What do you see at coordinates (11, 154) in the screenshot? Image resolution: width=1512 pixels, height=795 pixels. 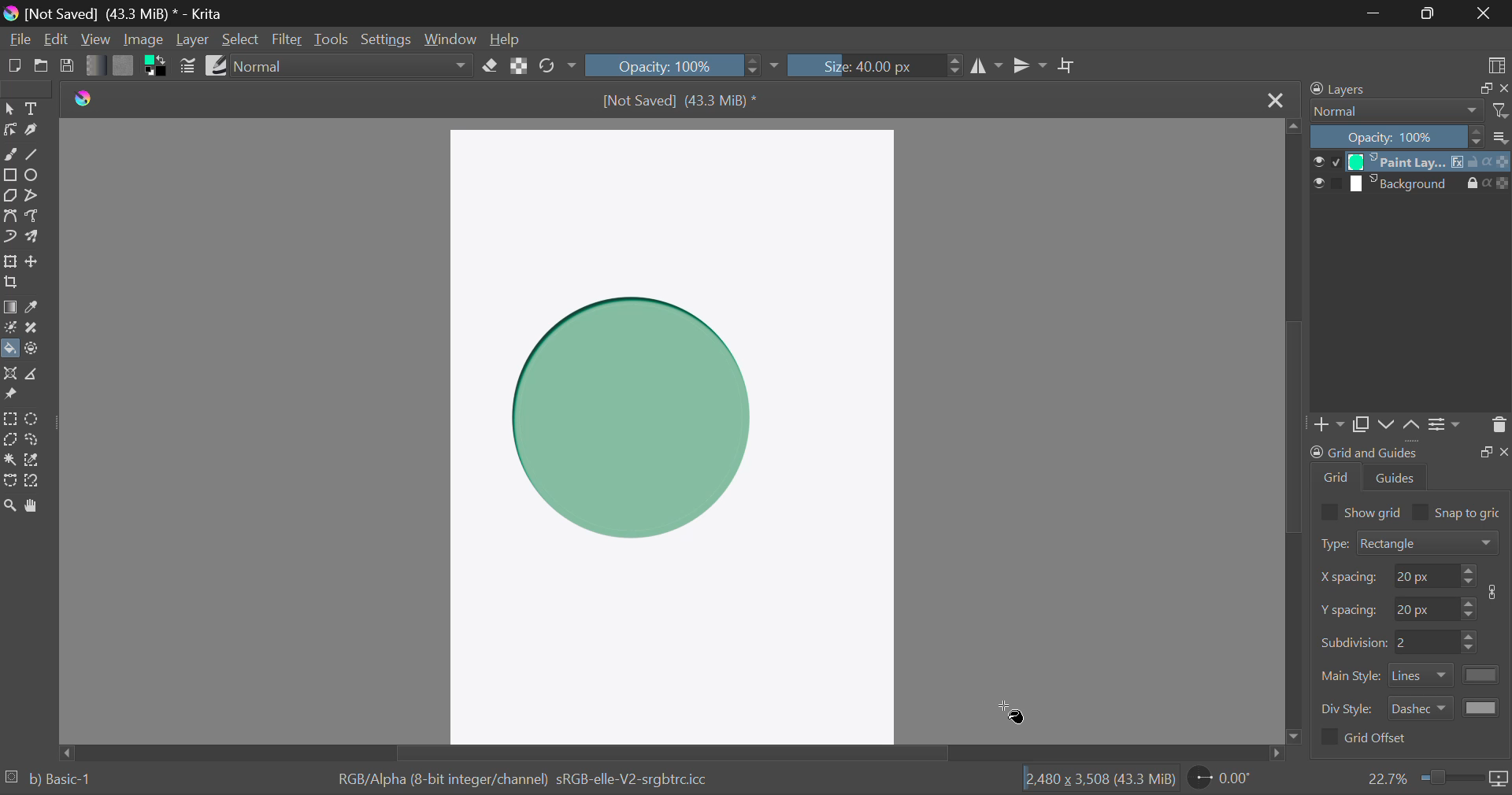 I see `Freehand` at bounding box center [11, 154].